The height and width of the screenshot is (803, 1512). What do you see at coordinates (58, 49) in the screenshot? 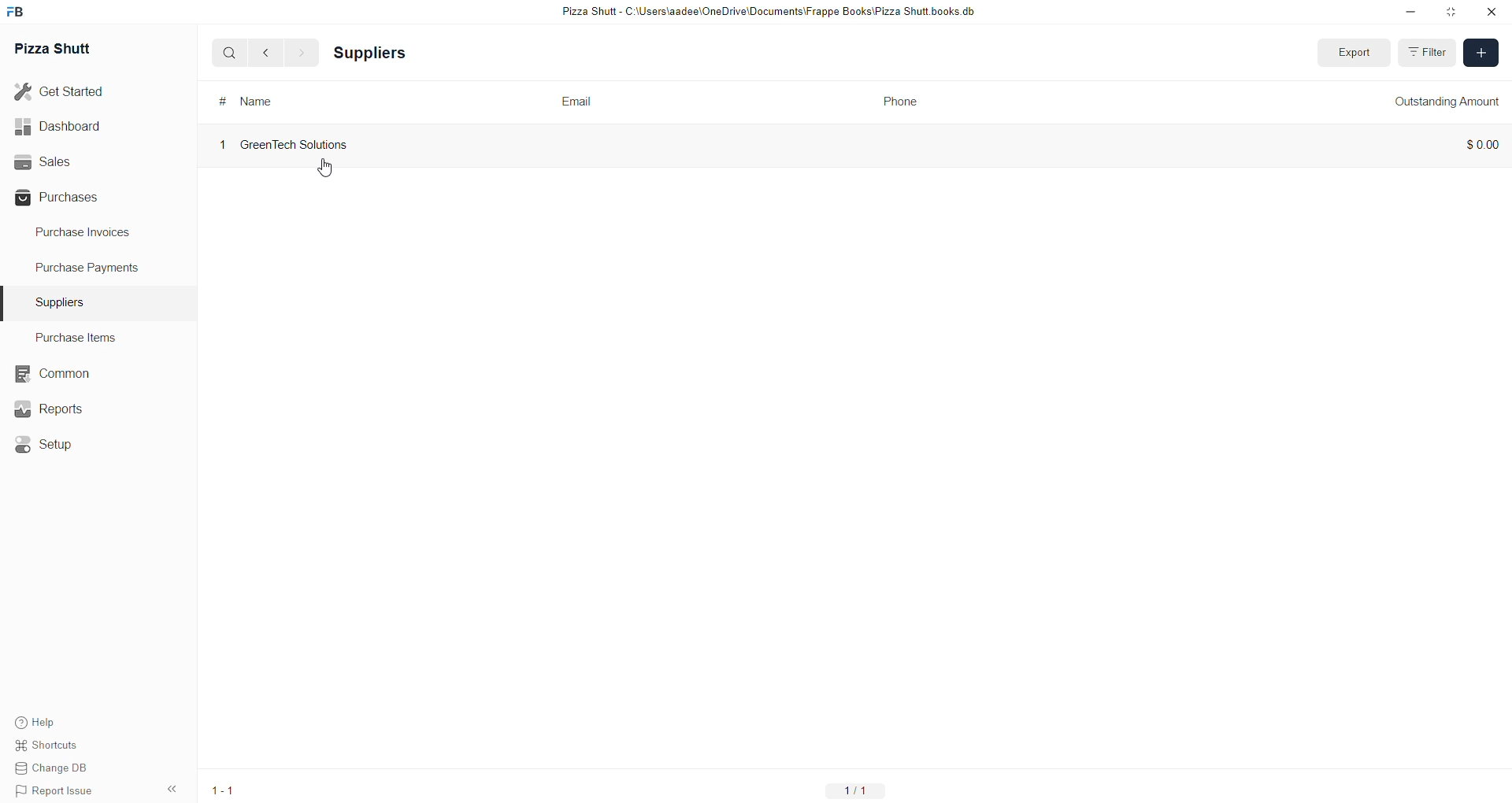
I see `Pizza Shutt` at bounding box center [58, 49].